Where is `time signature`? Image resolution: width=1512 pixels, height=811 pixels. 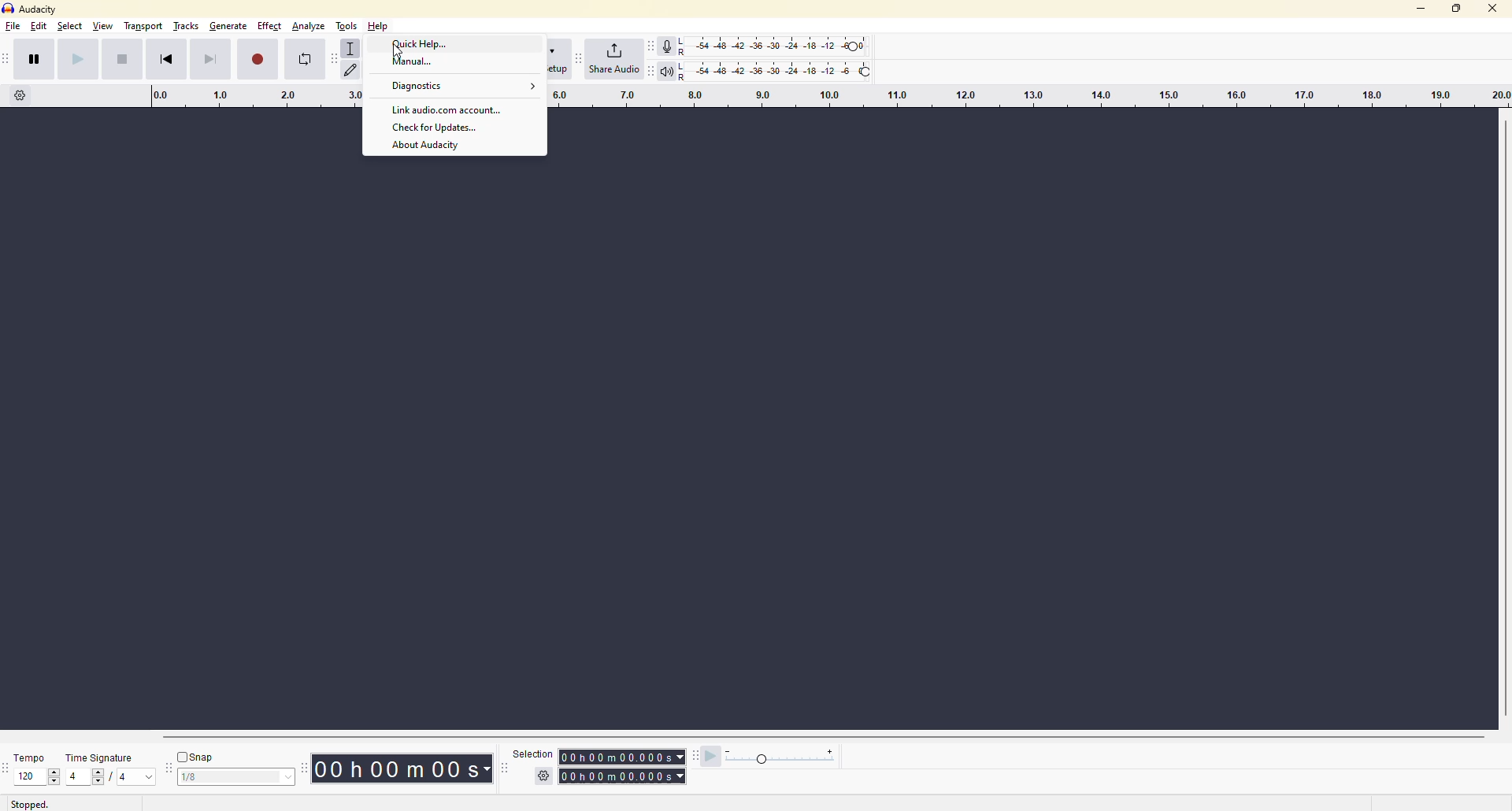
time signature is located at coordinates (101, 758).